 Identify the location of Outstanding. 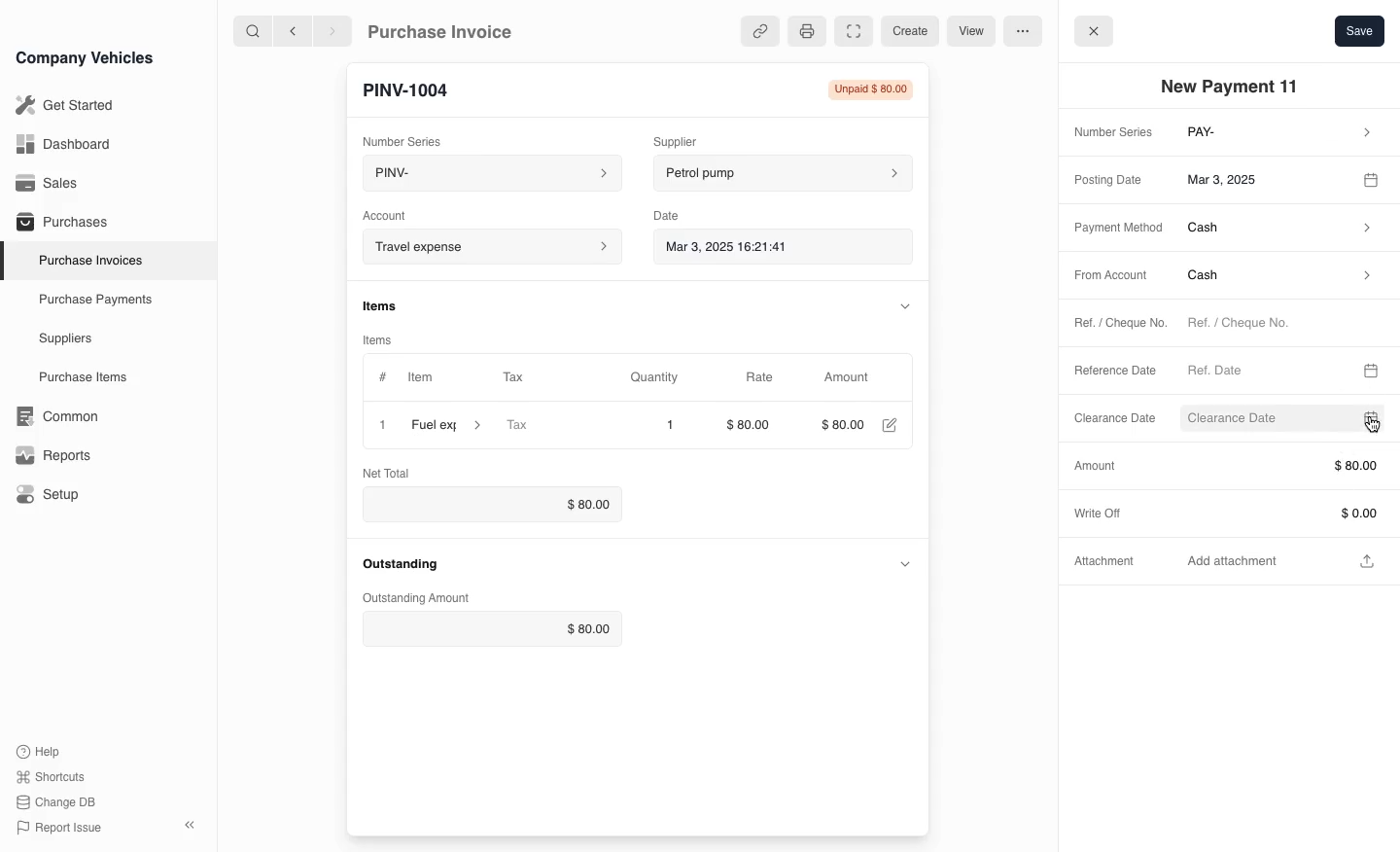
(401, 563).